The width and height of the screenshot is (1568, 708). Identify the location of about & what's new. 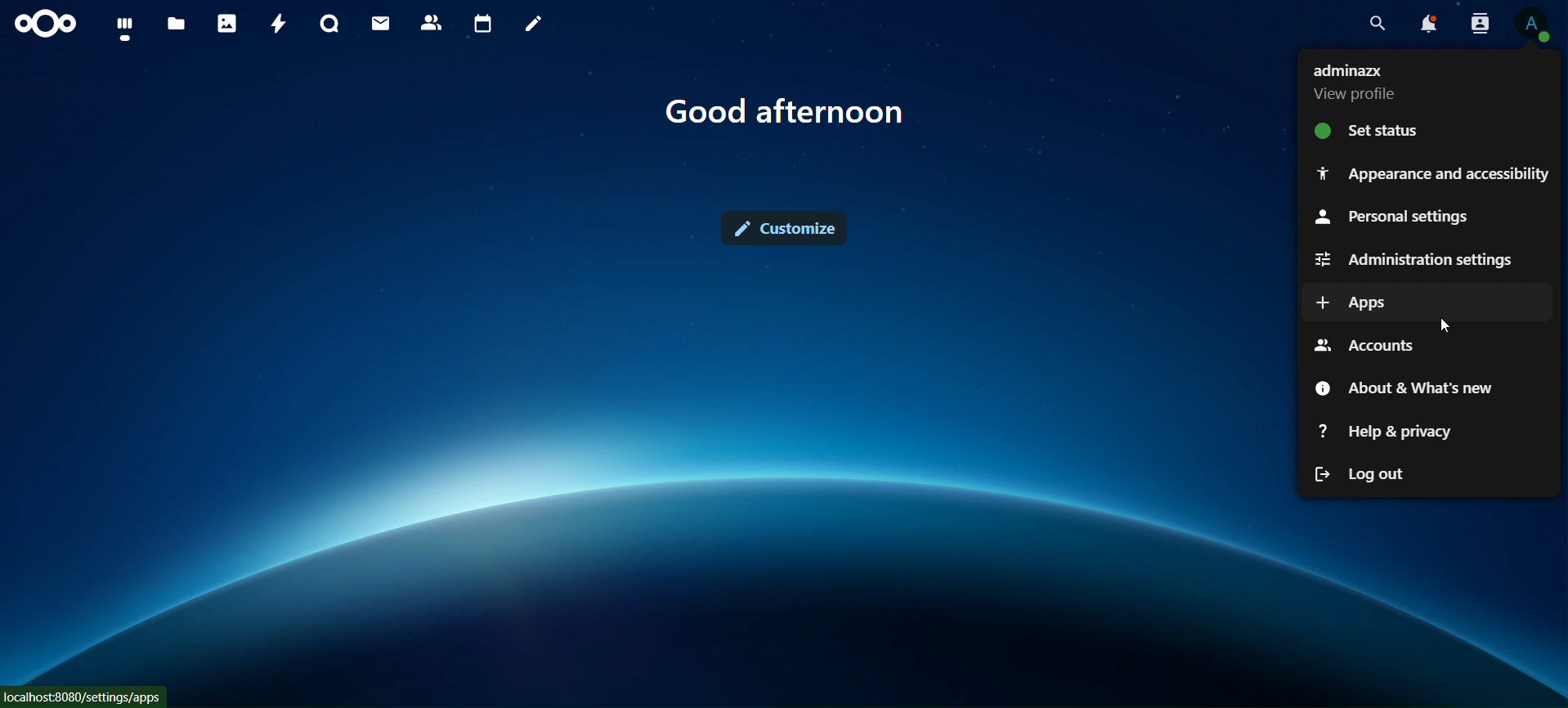
(1399, 387).